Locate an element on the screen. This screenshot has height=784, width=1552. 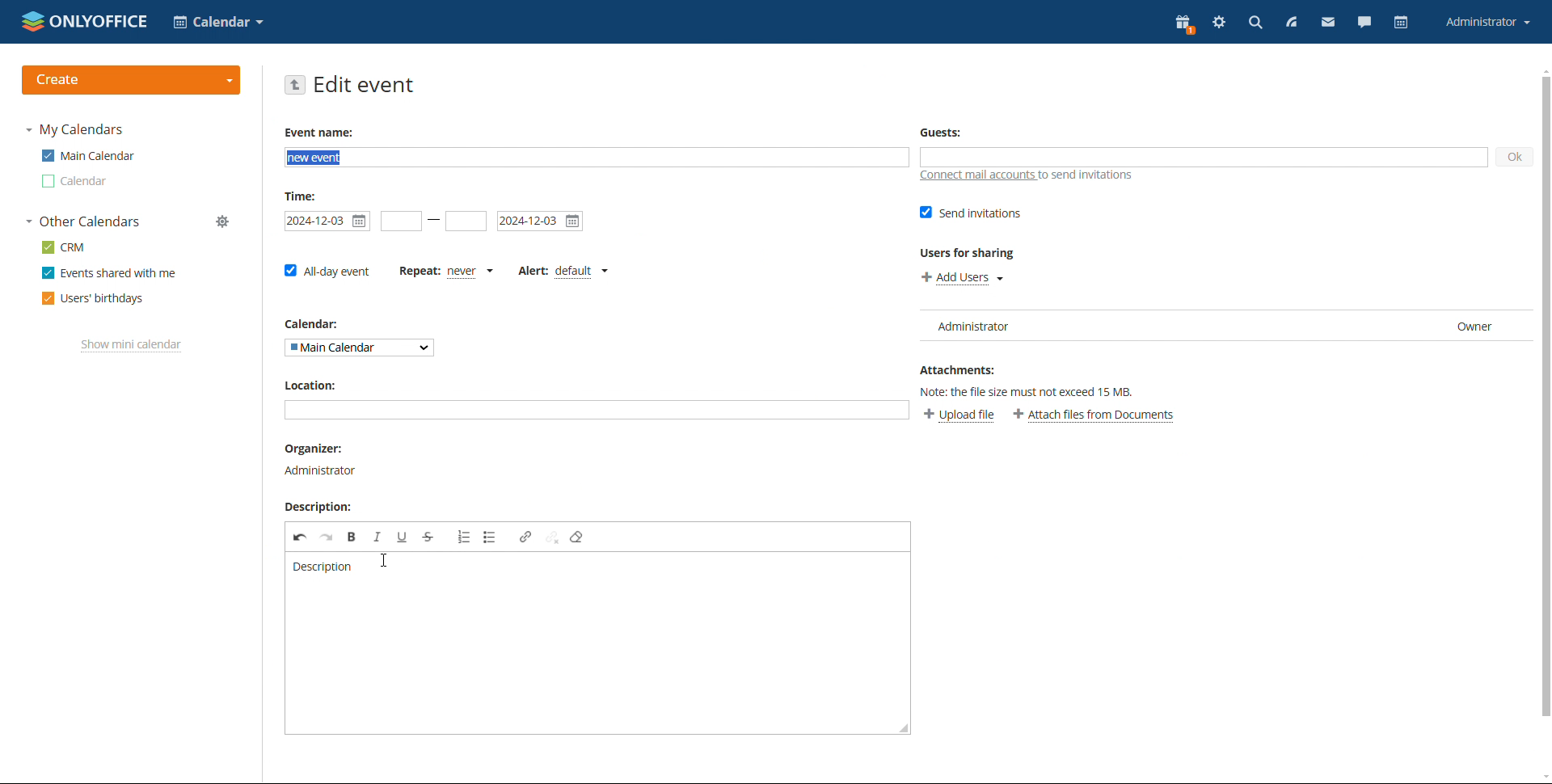
Attachments: is located at coordinates (960, 369).